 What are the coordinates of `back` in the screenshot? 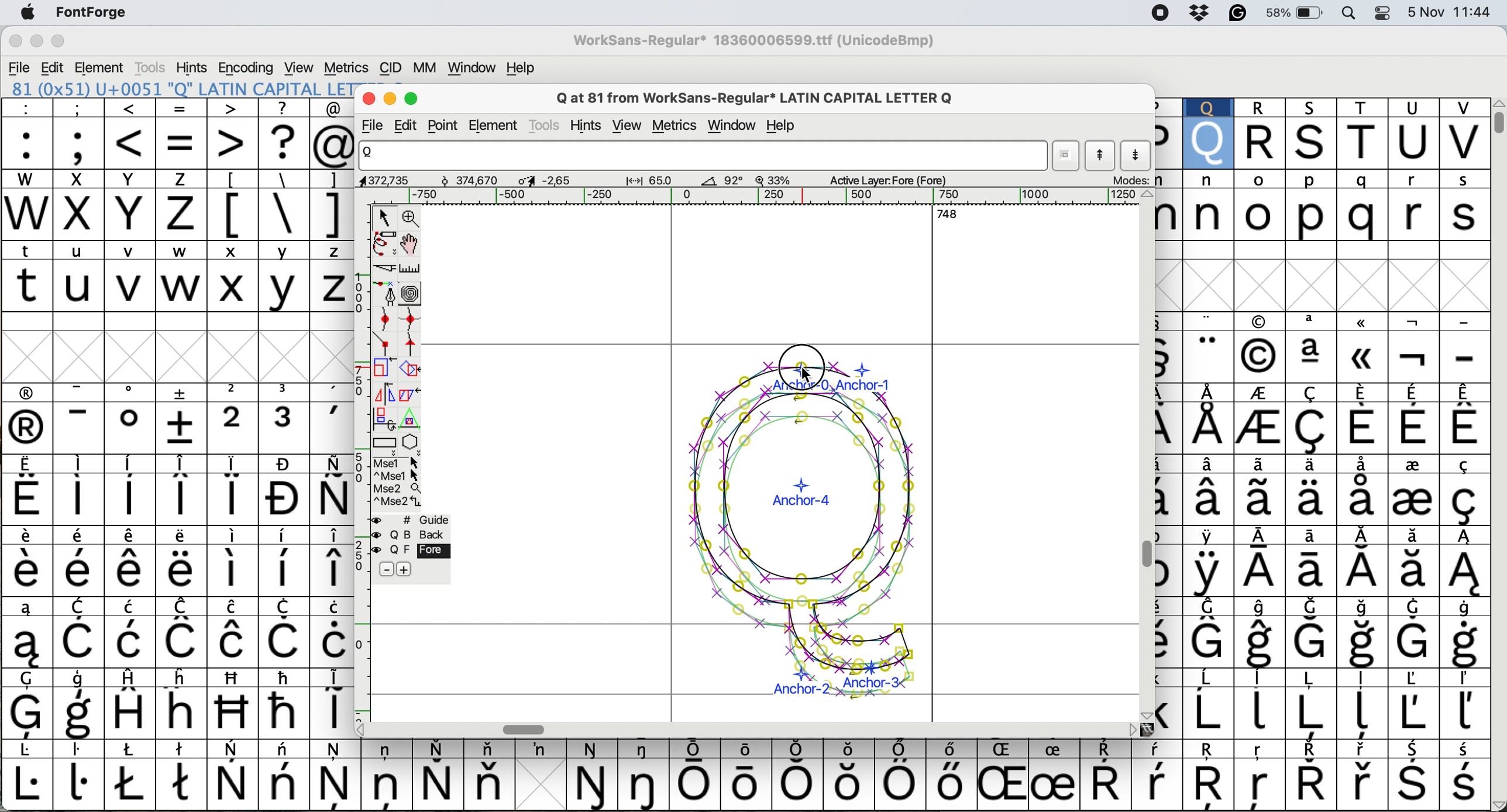 It's located at (412, 535).